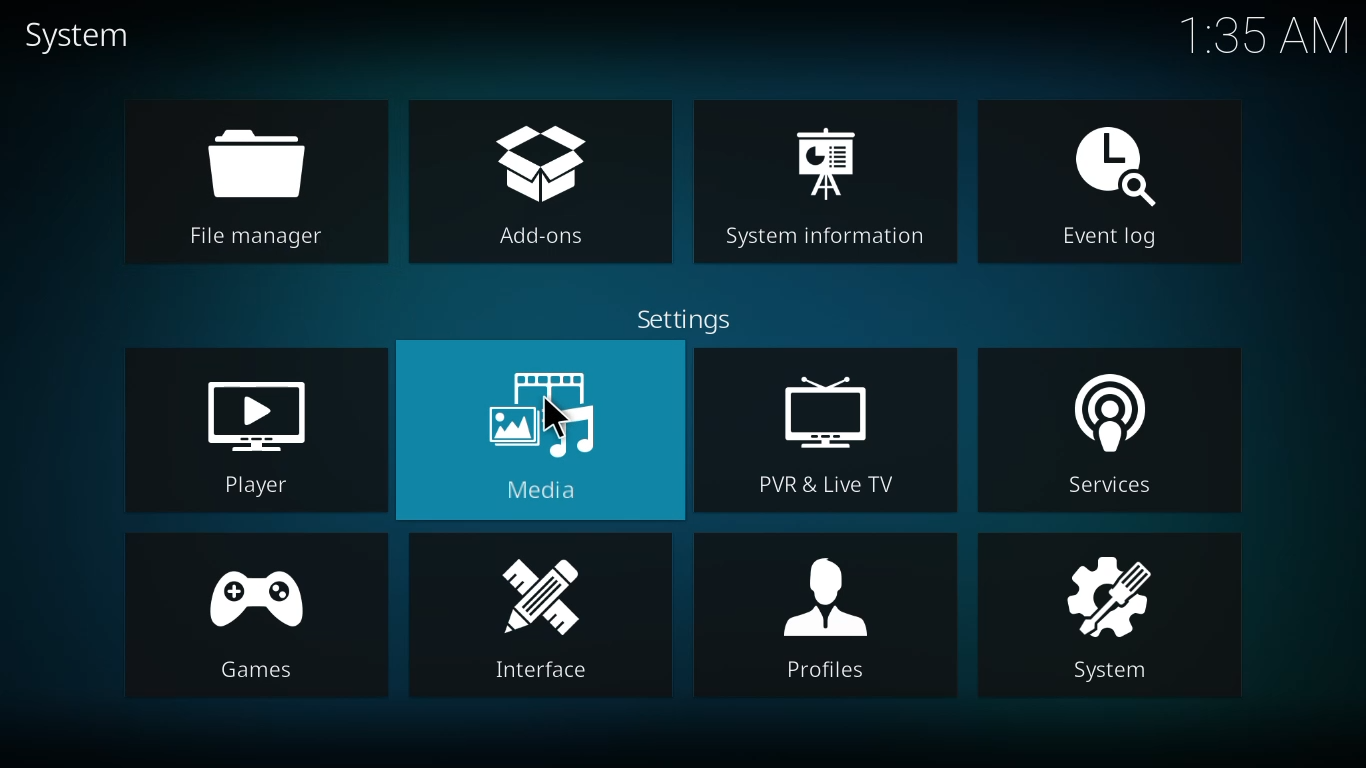 The height and width of the screenshot is (768, 1366). I want to click on profiles, so click(828, 621).